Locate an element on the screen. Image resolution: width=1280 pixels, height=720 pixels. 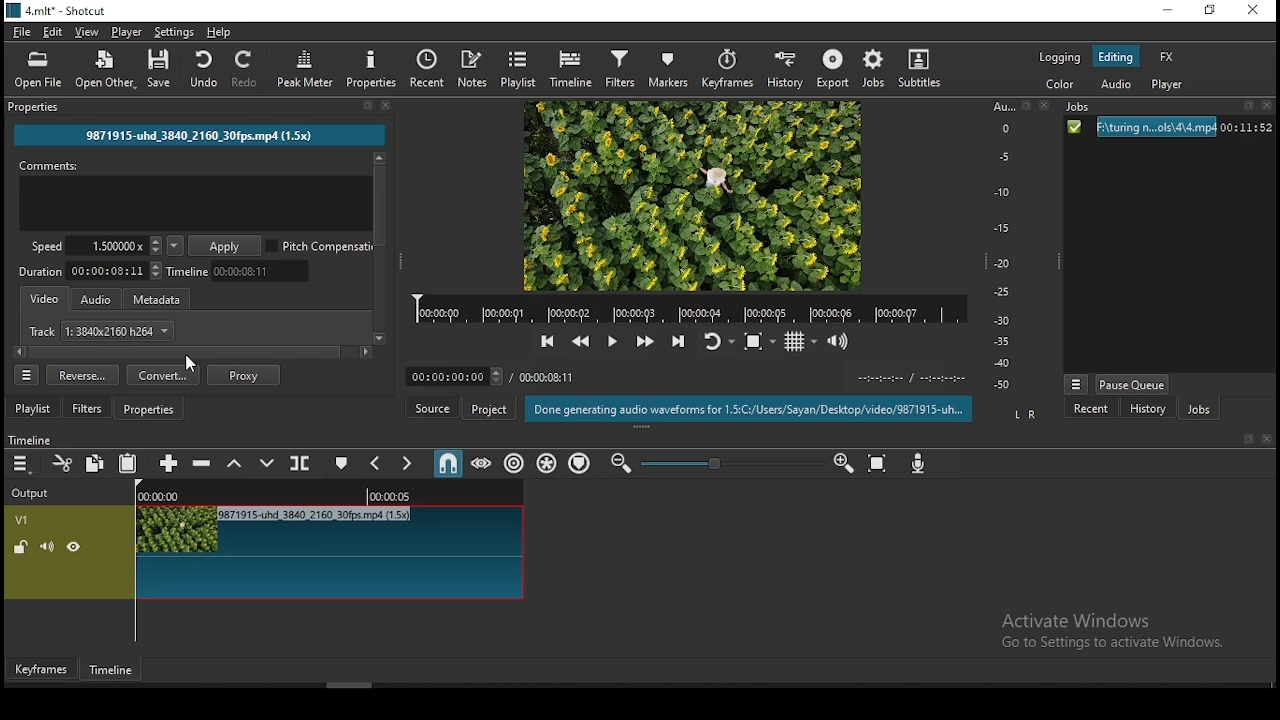
bookmark is located at coordinates (1027, 107).